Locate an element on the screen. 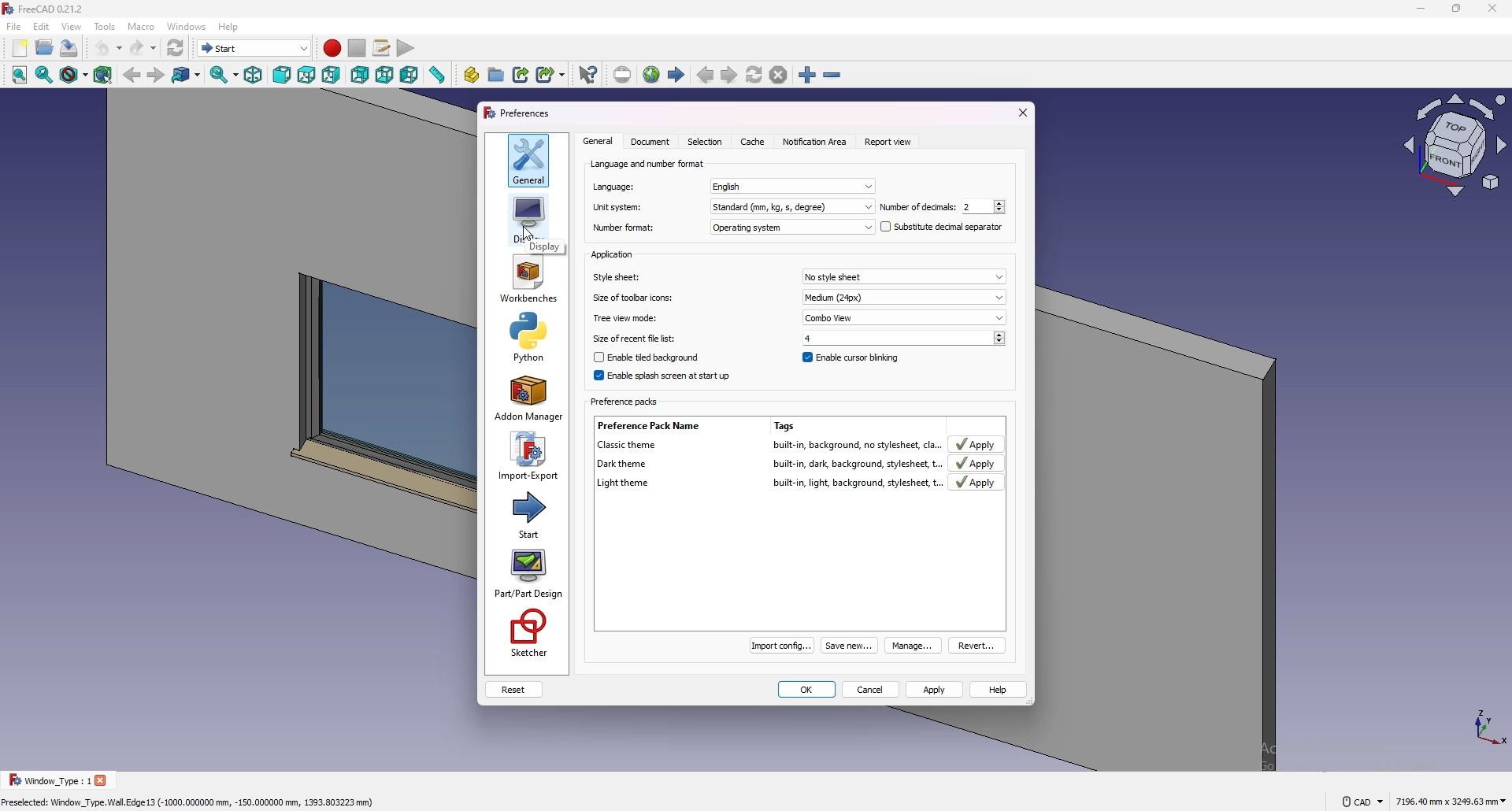  file is located at coordinates (14, 27).